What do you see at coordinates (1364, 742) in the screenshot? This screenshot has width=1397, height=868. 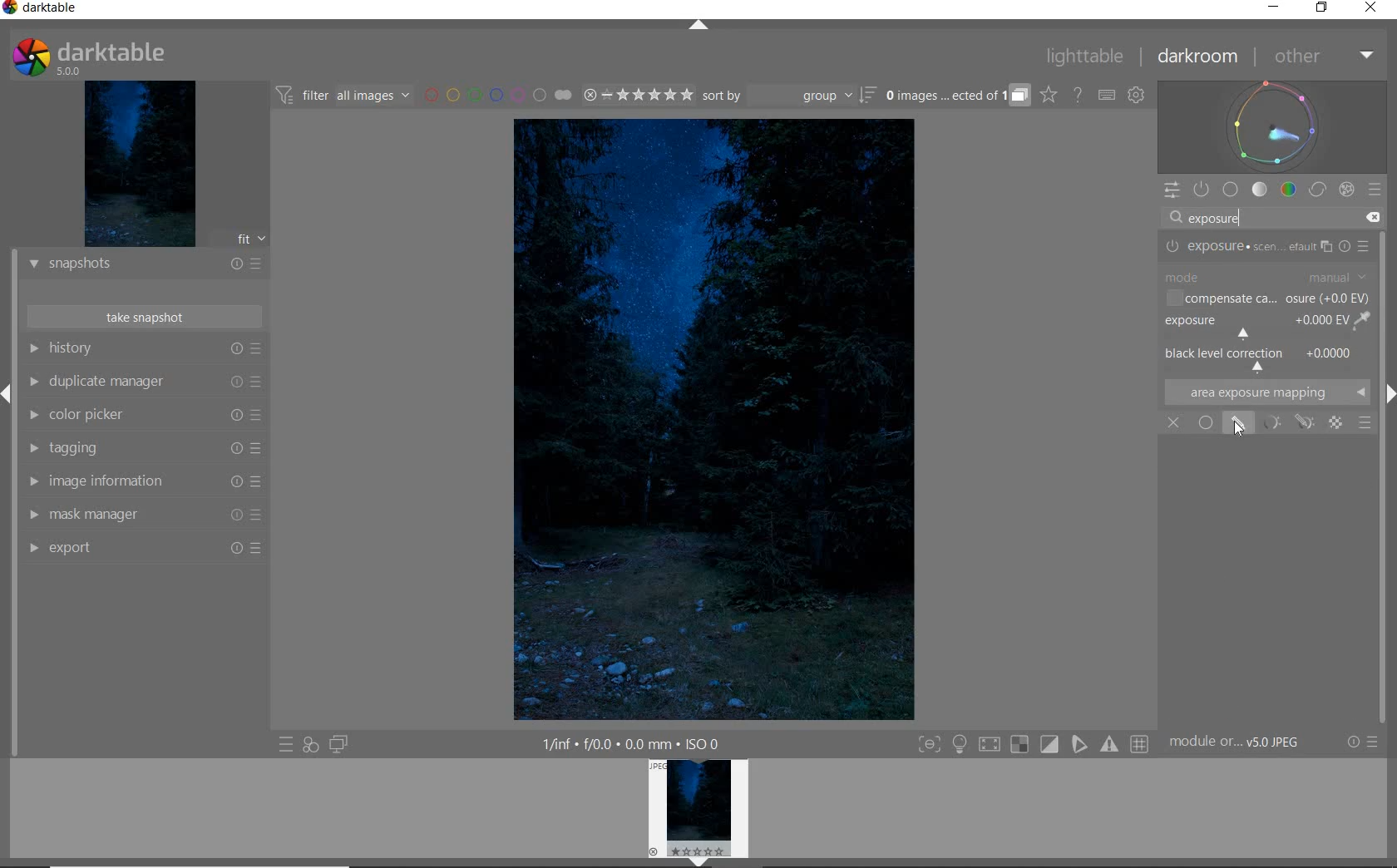 I see `RESET OR PRESETS & PREFERENCES` at bounding box center [1364, 742].